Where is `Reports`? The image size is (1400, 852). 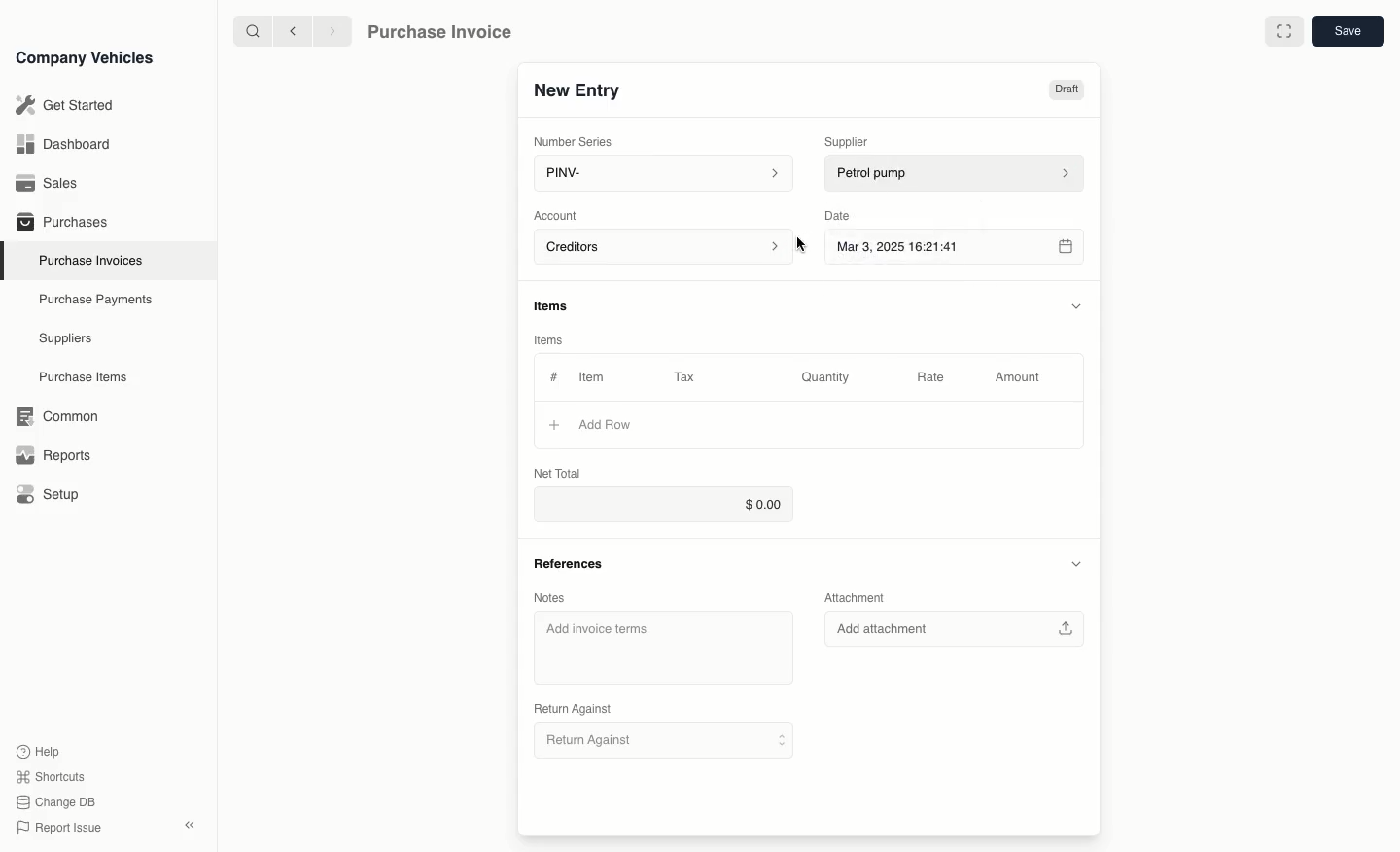 Reports is located at coordinates (53, 455).